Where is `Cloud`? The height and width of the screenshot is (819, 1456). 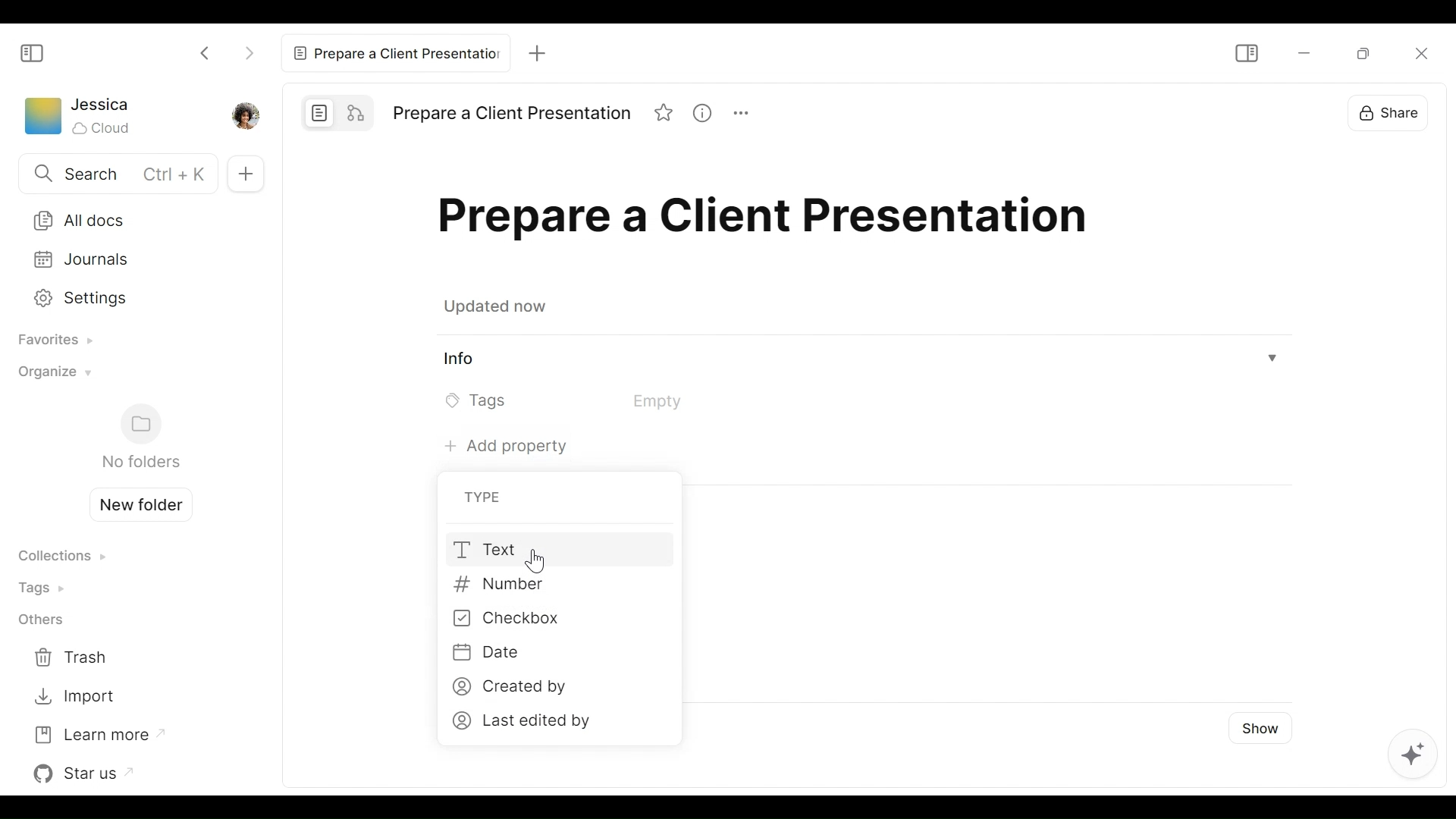
Cloud is located at coordinates (103, 128).